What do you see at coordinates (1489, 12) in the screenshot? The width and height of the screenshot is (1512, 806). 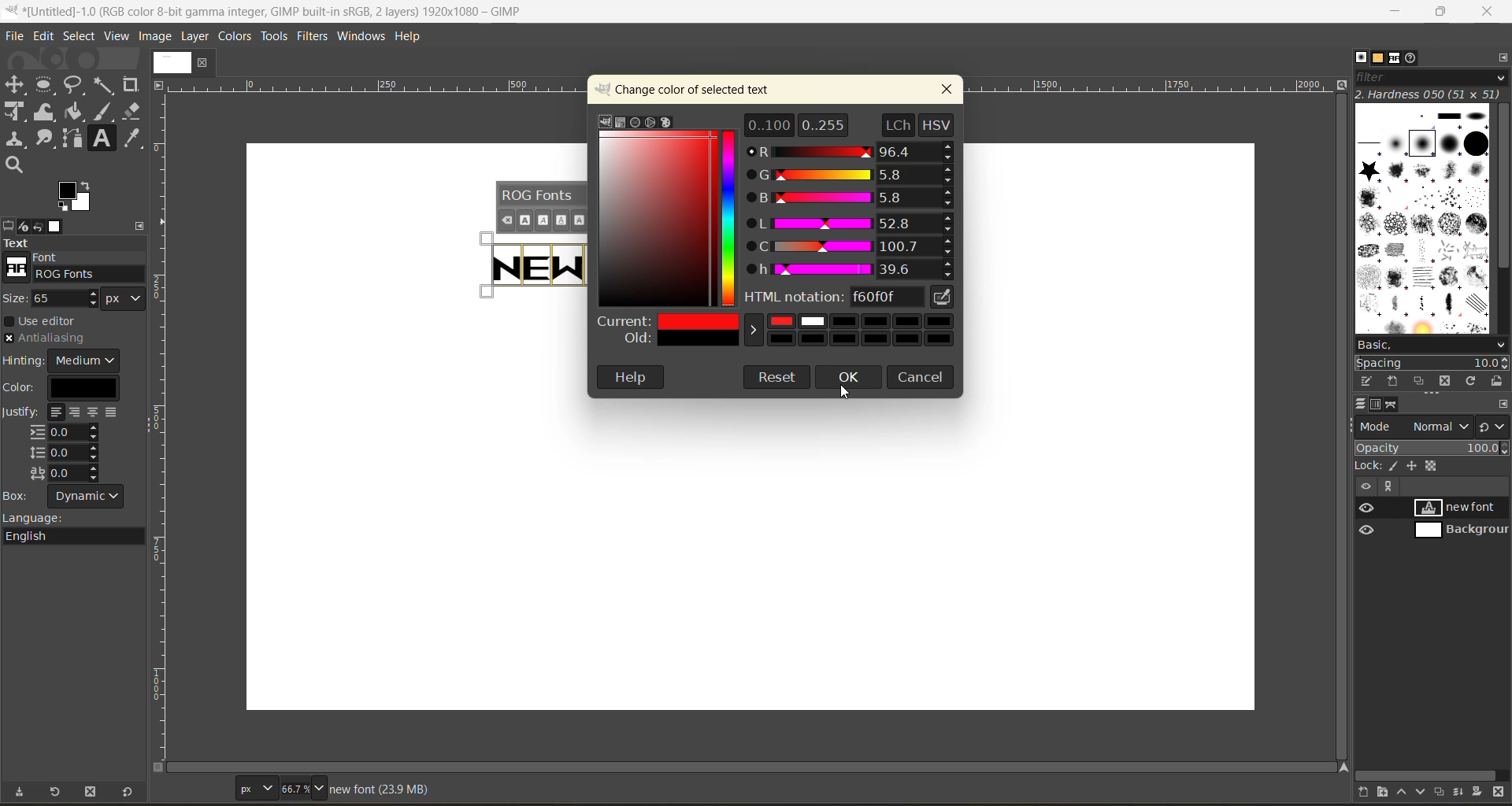 I see `close` at bounding box center [1489, 12].